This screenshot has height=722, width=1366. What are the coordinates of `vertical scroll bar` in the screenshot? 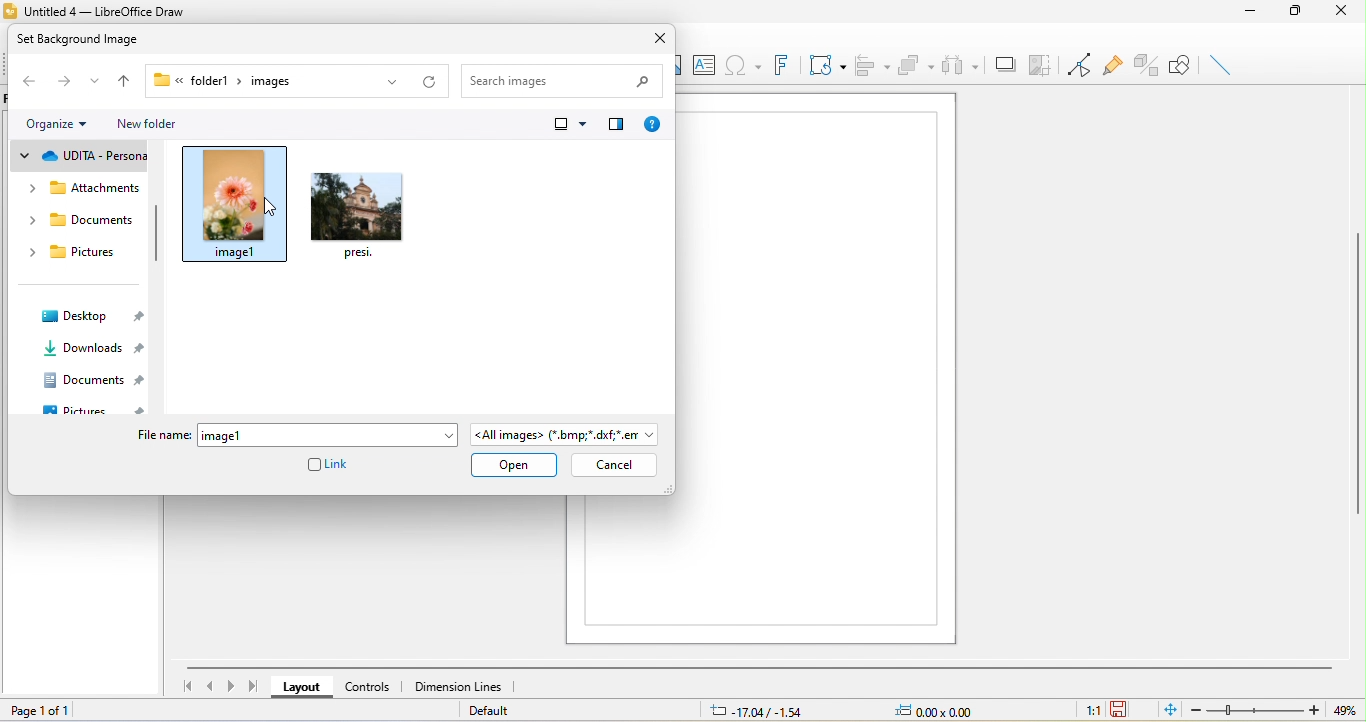 It's located at (1357, 378).